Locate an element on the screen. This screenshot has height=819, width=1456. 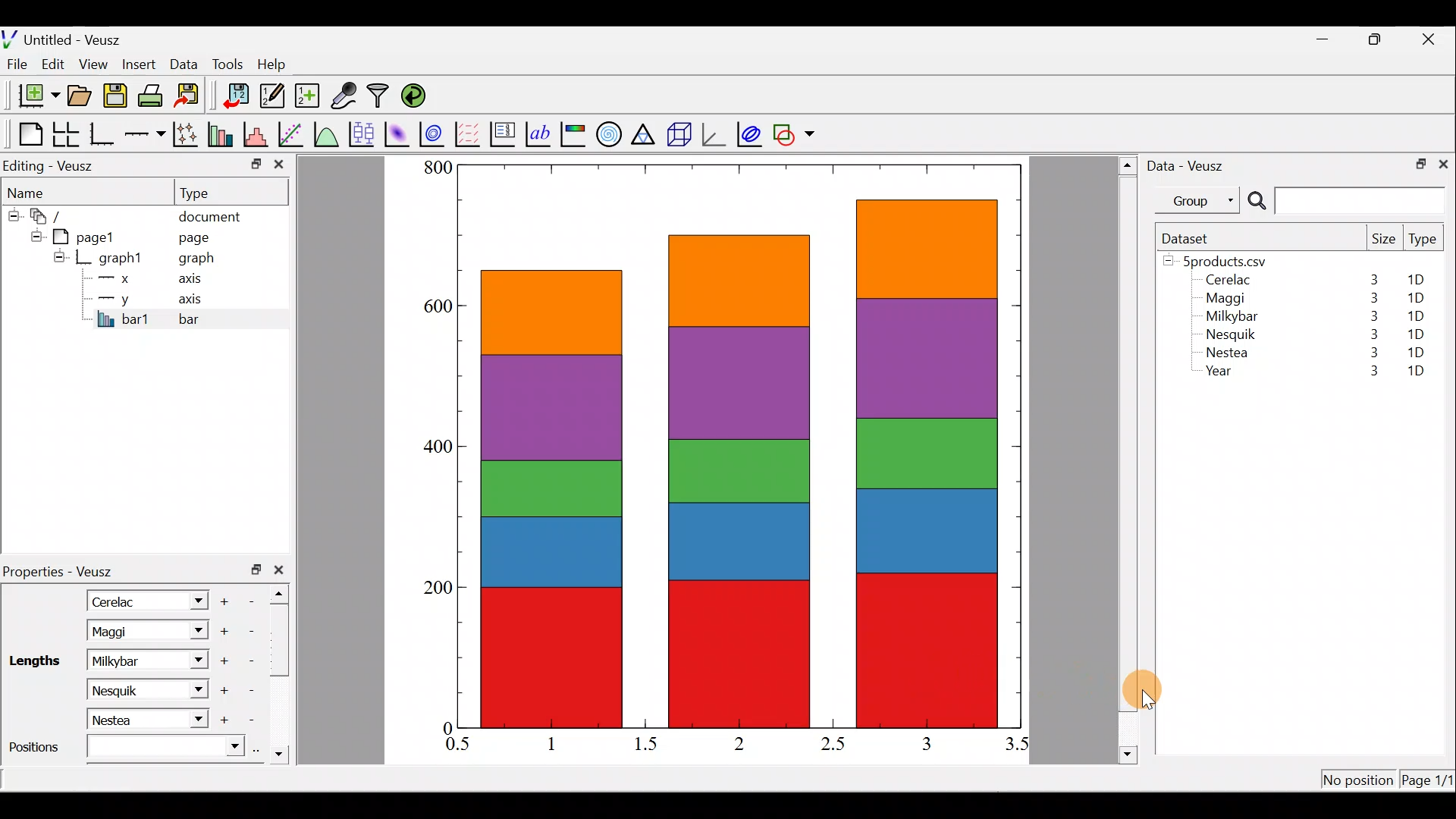
bar1 is located at coordinates (124, 318).